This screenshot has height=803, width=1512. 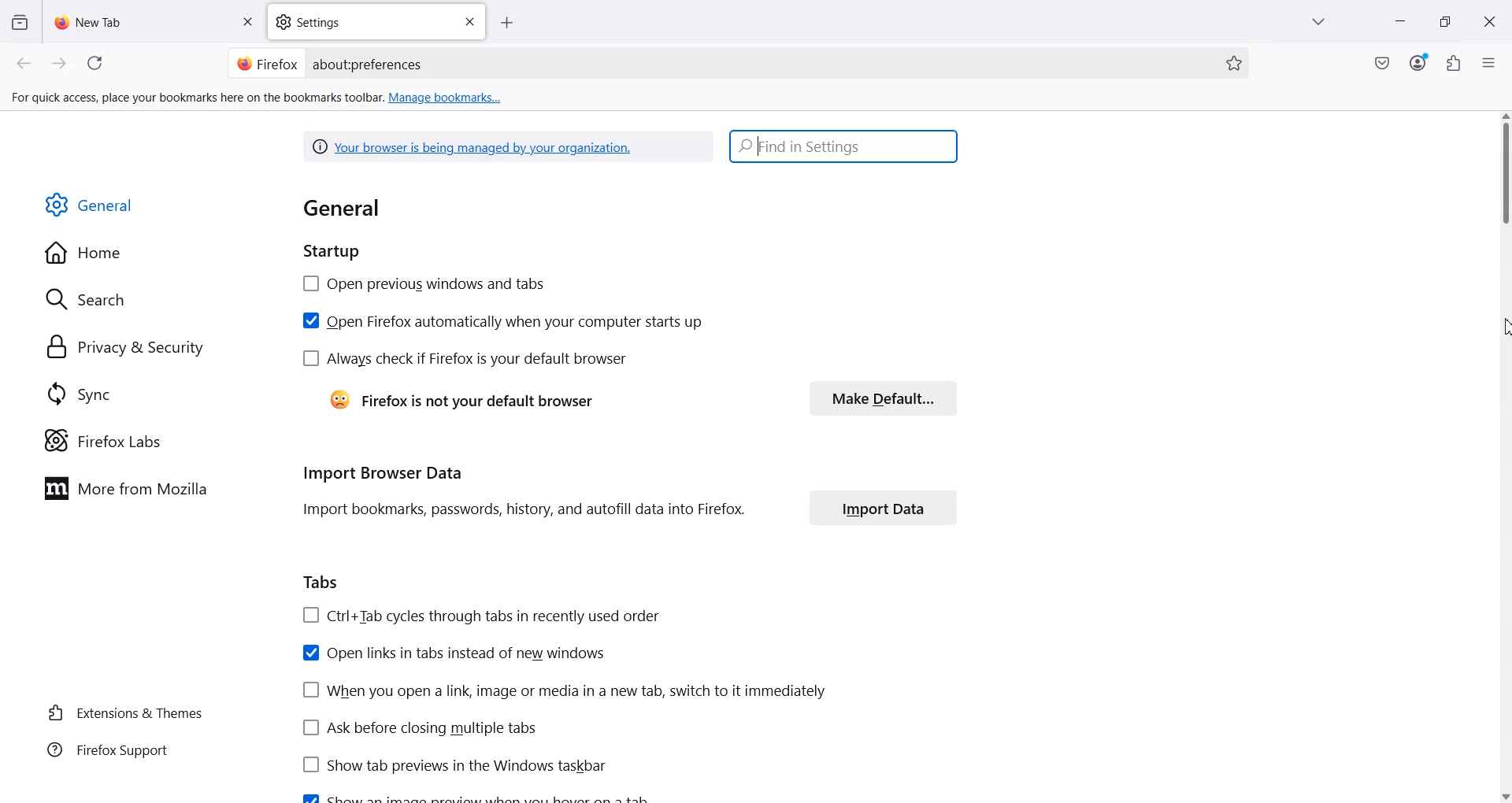 I want to click on [J Always check if Firefox is your default browser, so click(x=465, y=359).